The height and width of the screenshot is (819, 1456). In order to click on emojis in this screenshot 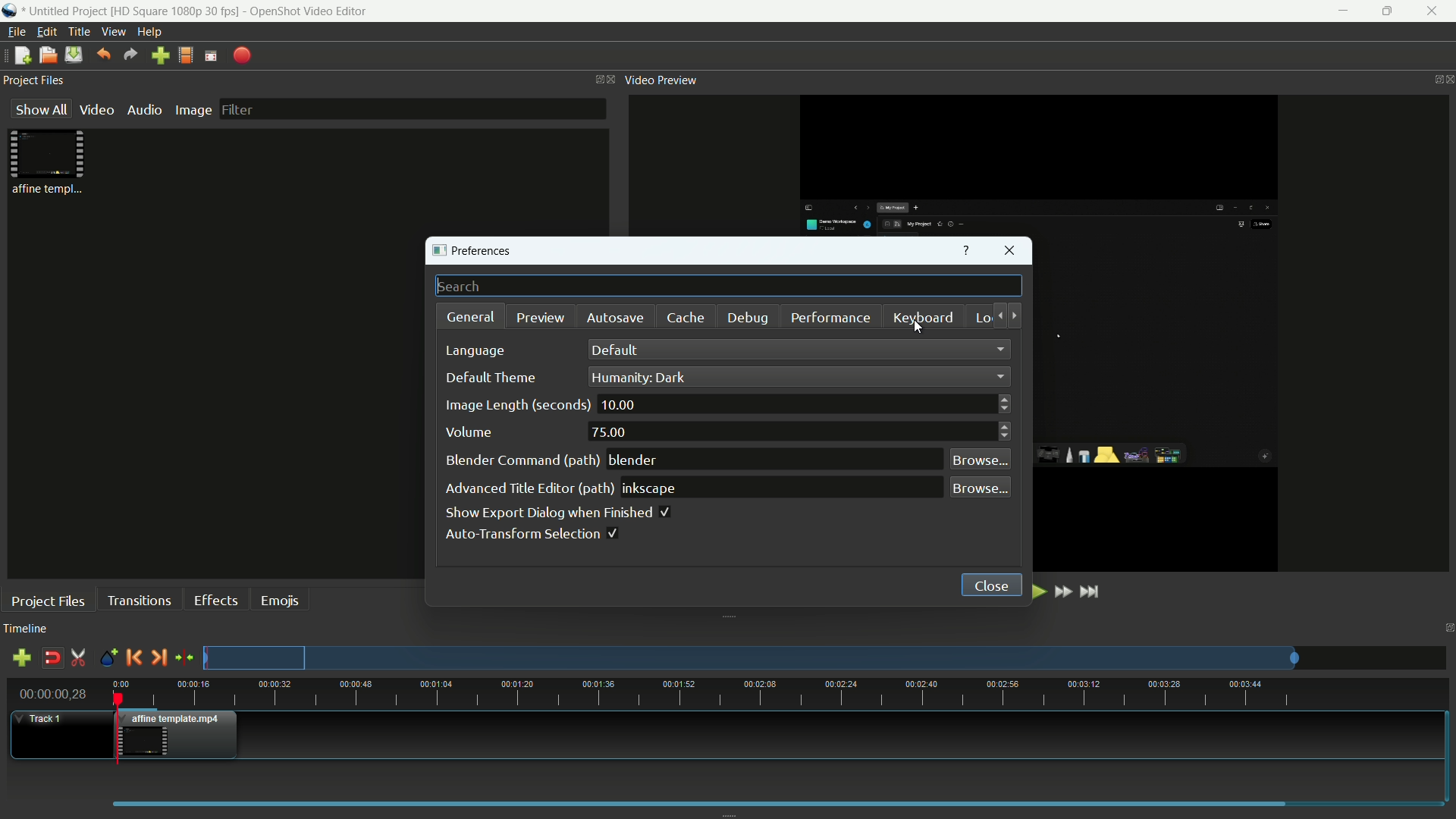, I will do `click(281, 599)`.